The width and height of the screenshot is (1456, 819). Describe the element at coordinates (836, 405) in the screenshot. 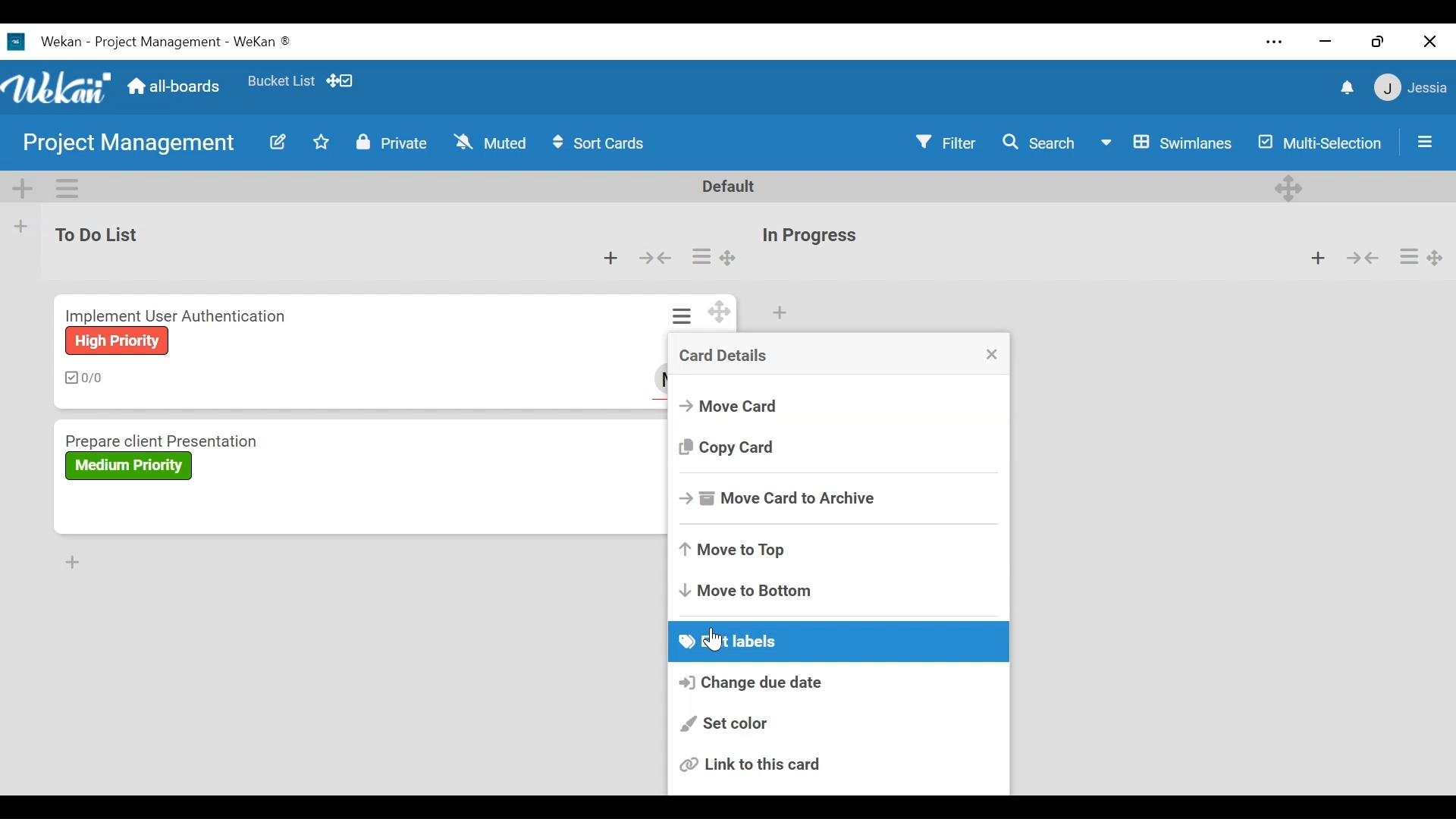

I see `Move Card` at that location.